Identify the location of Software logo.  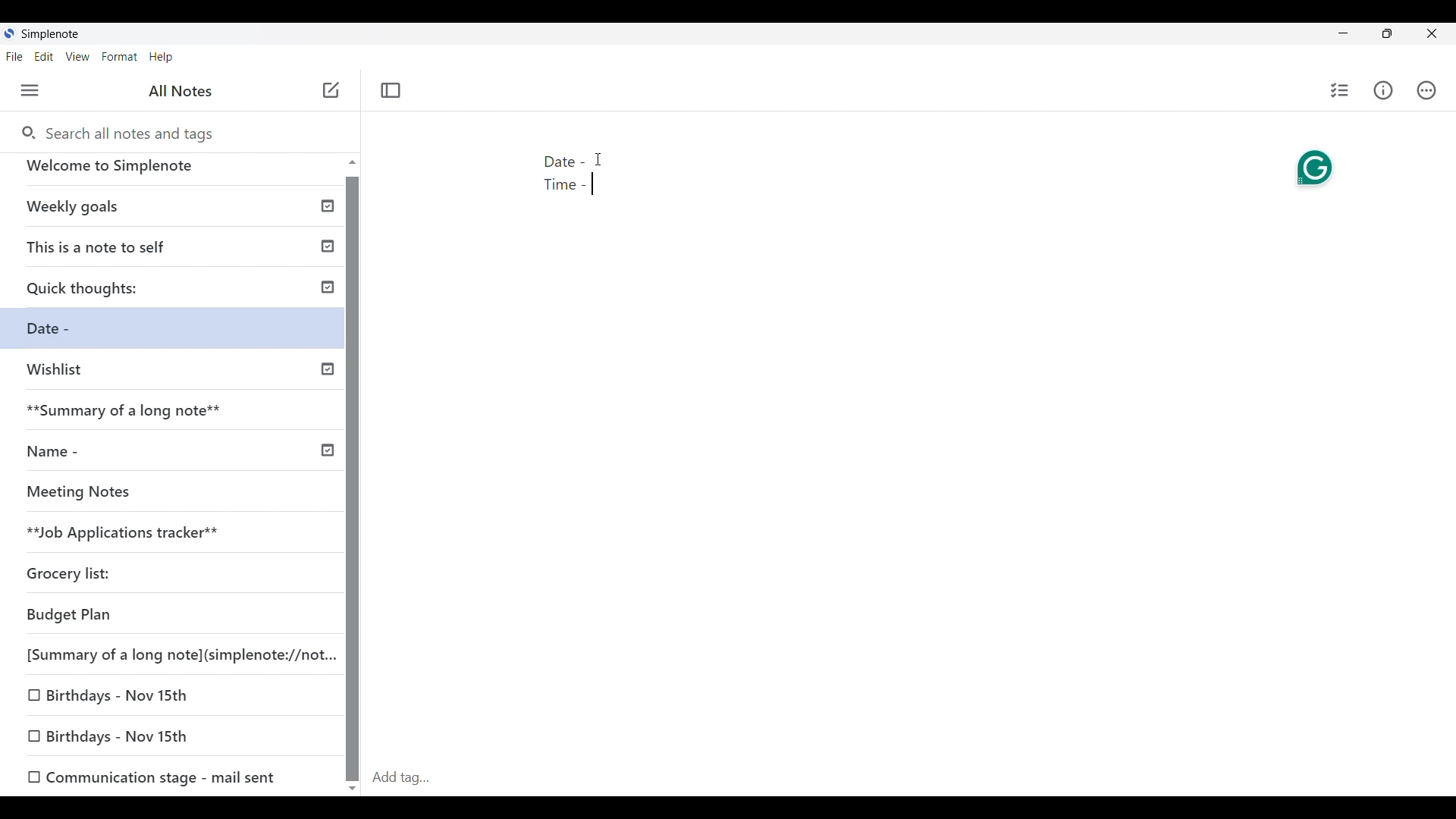
(9, 33).